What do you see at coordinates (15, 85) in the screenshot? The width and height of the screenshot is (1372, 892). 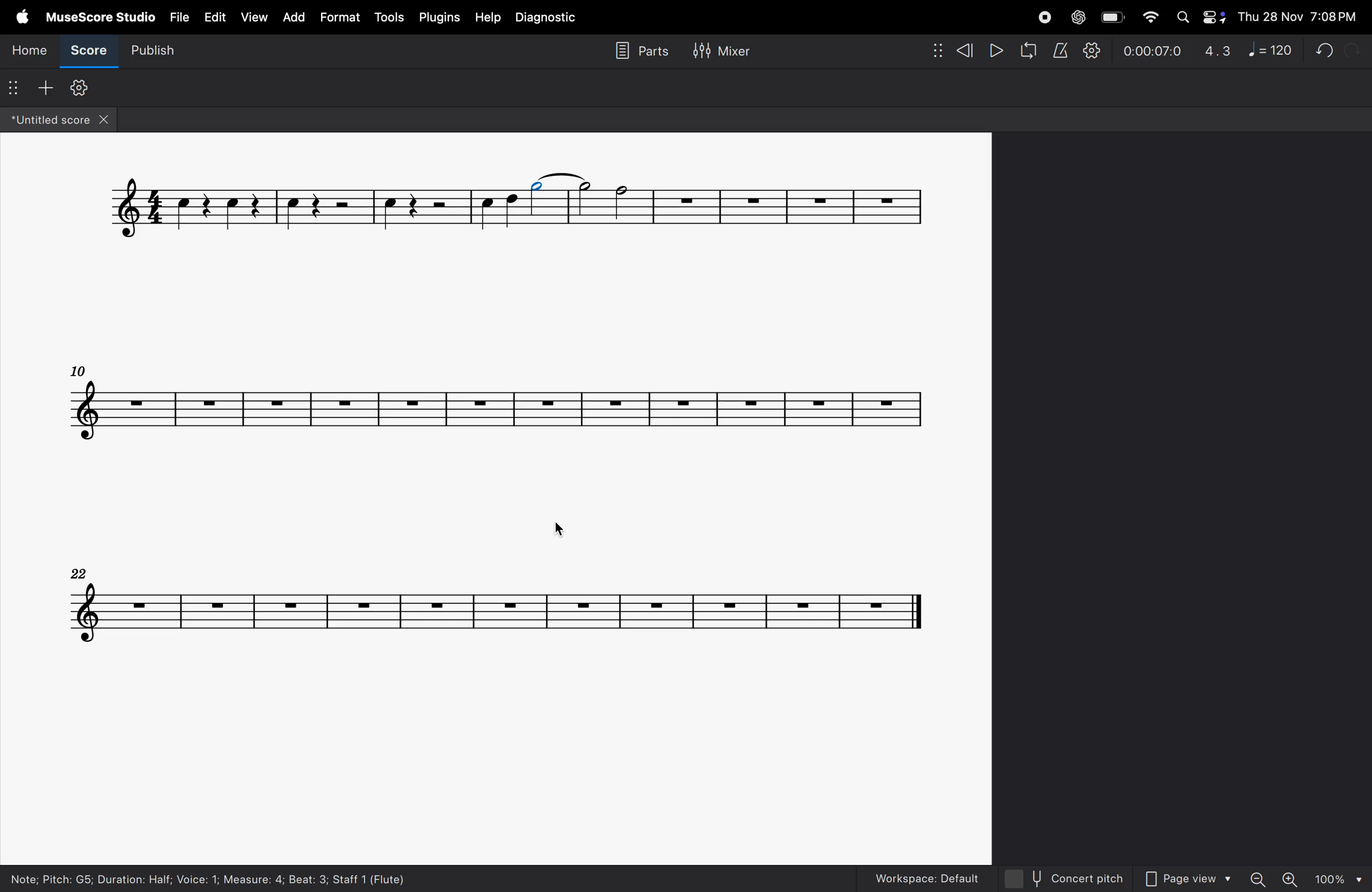 I see `options` at bounding box center [15, 85].